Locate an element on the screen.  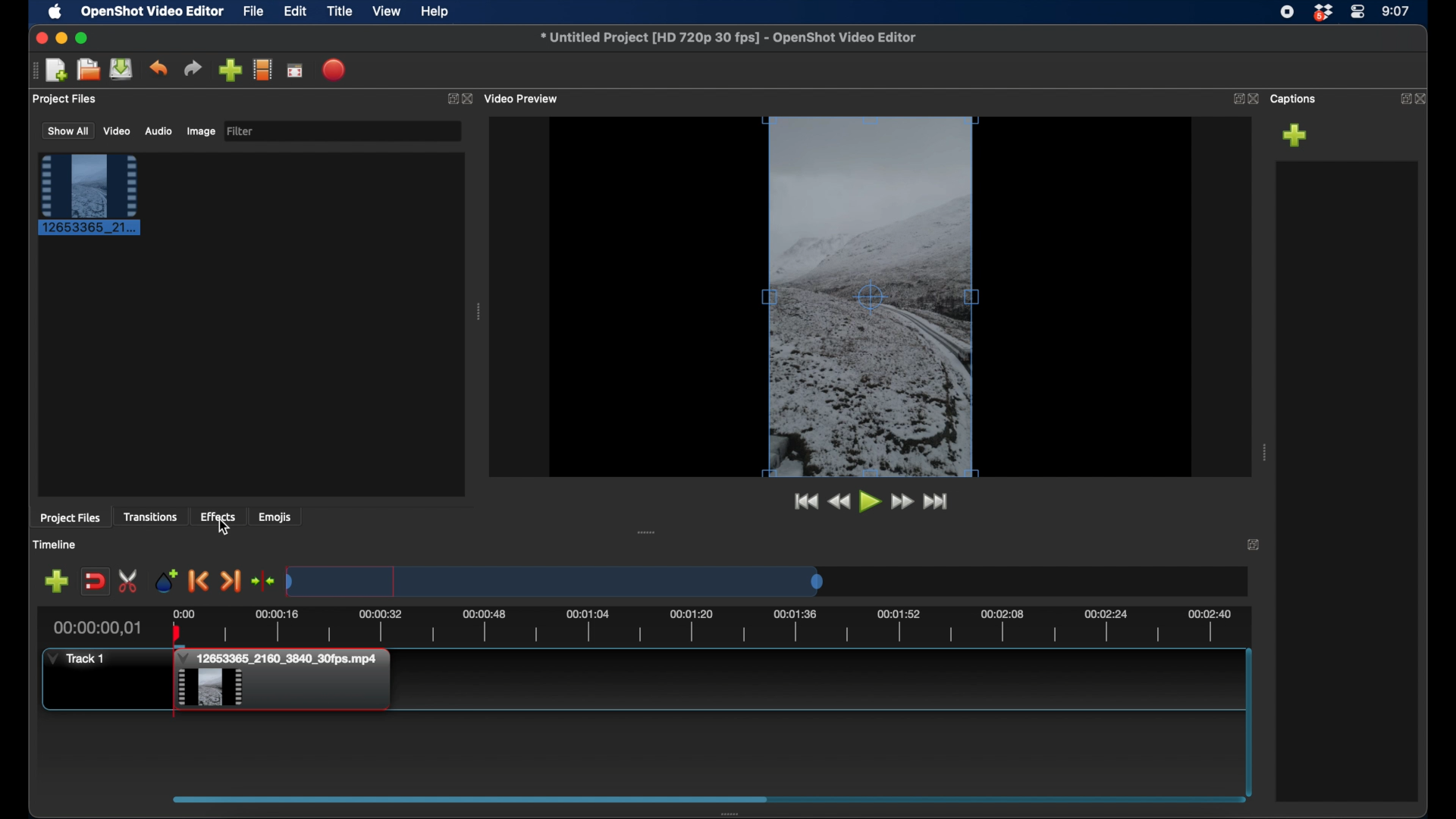
close is located at coordinates (1254, 99).